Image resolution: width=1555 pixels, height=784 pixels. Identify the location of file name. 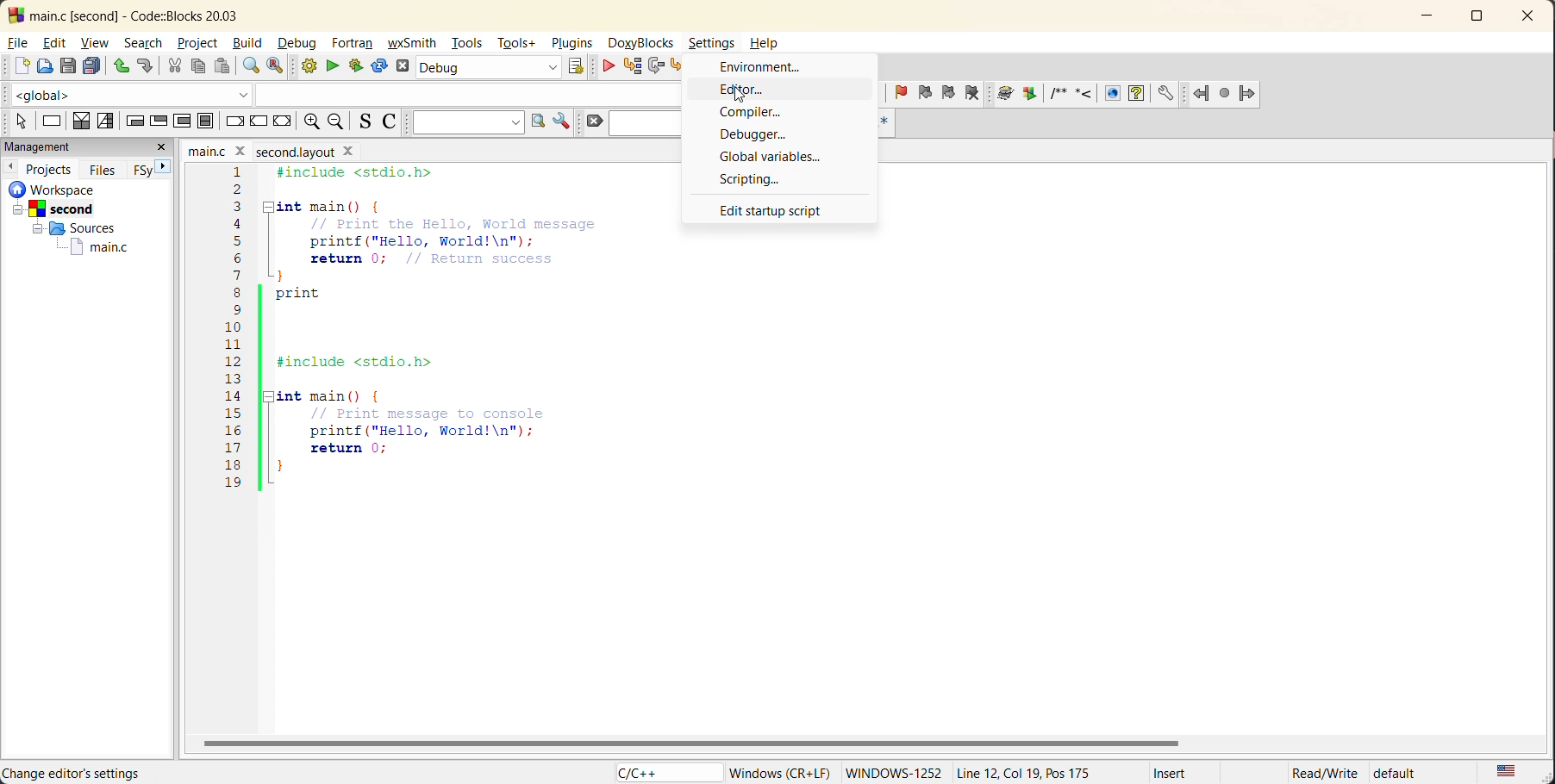
(266, 151).